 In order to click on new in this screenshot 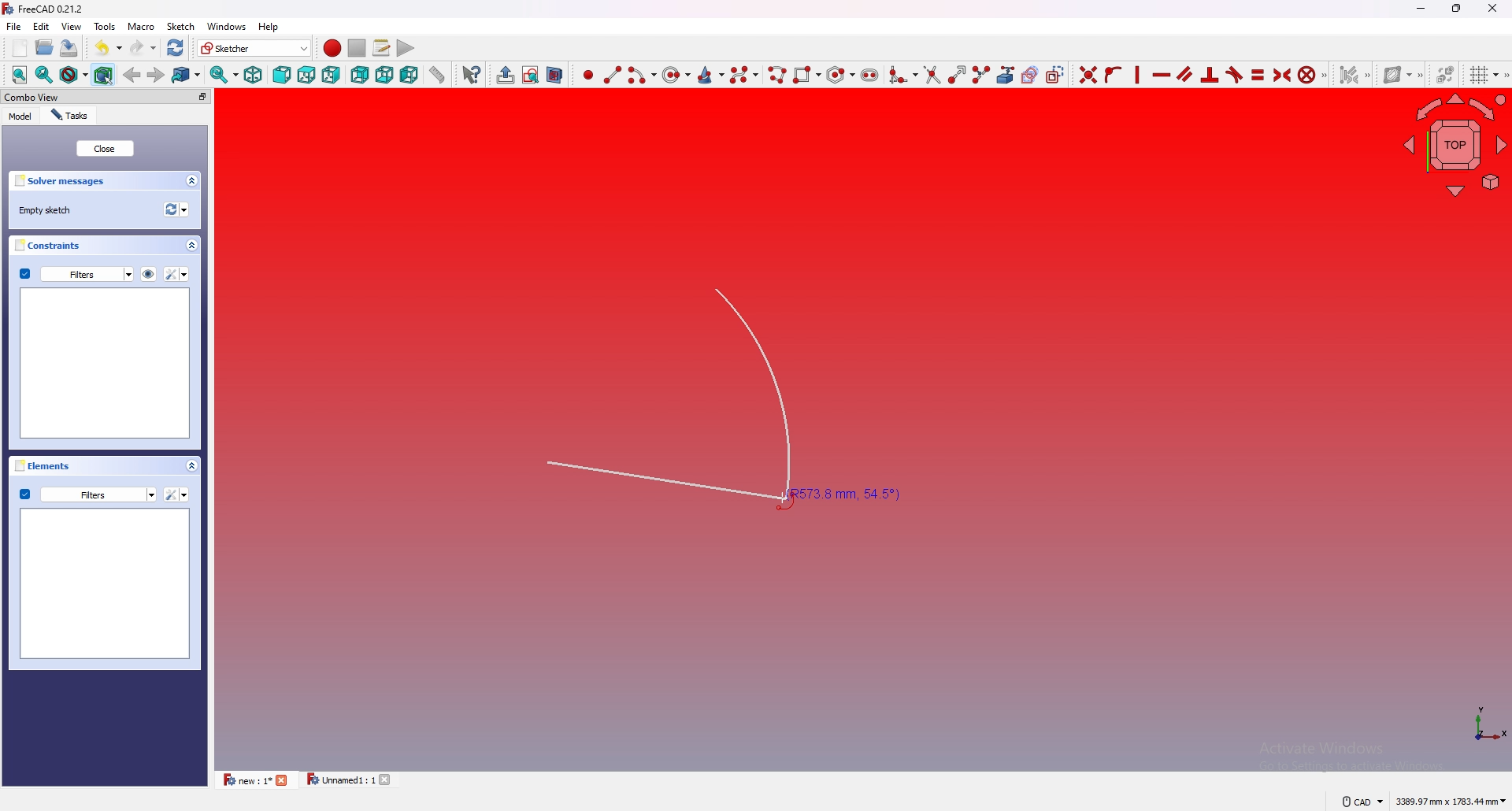, I will do `click(18, 48)`.